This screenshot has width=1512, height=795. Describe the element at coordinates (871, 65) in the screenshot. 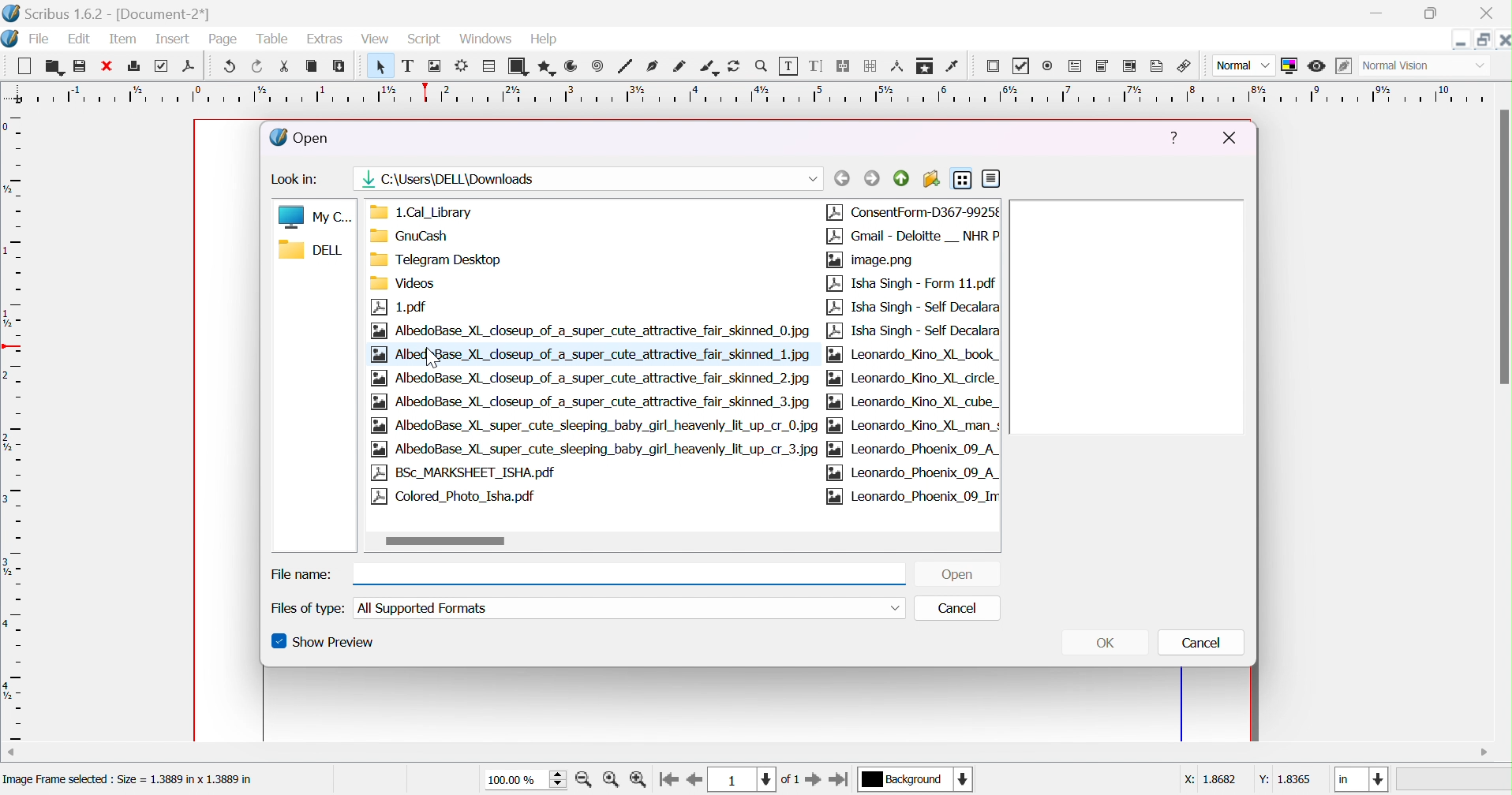

I see `unlink text frames` at that location.